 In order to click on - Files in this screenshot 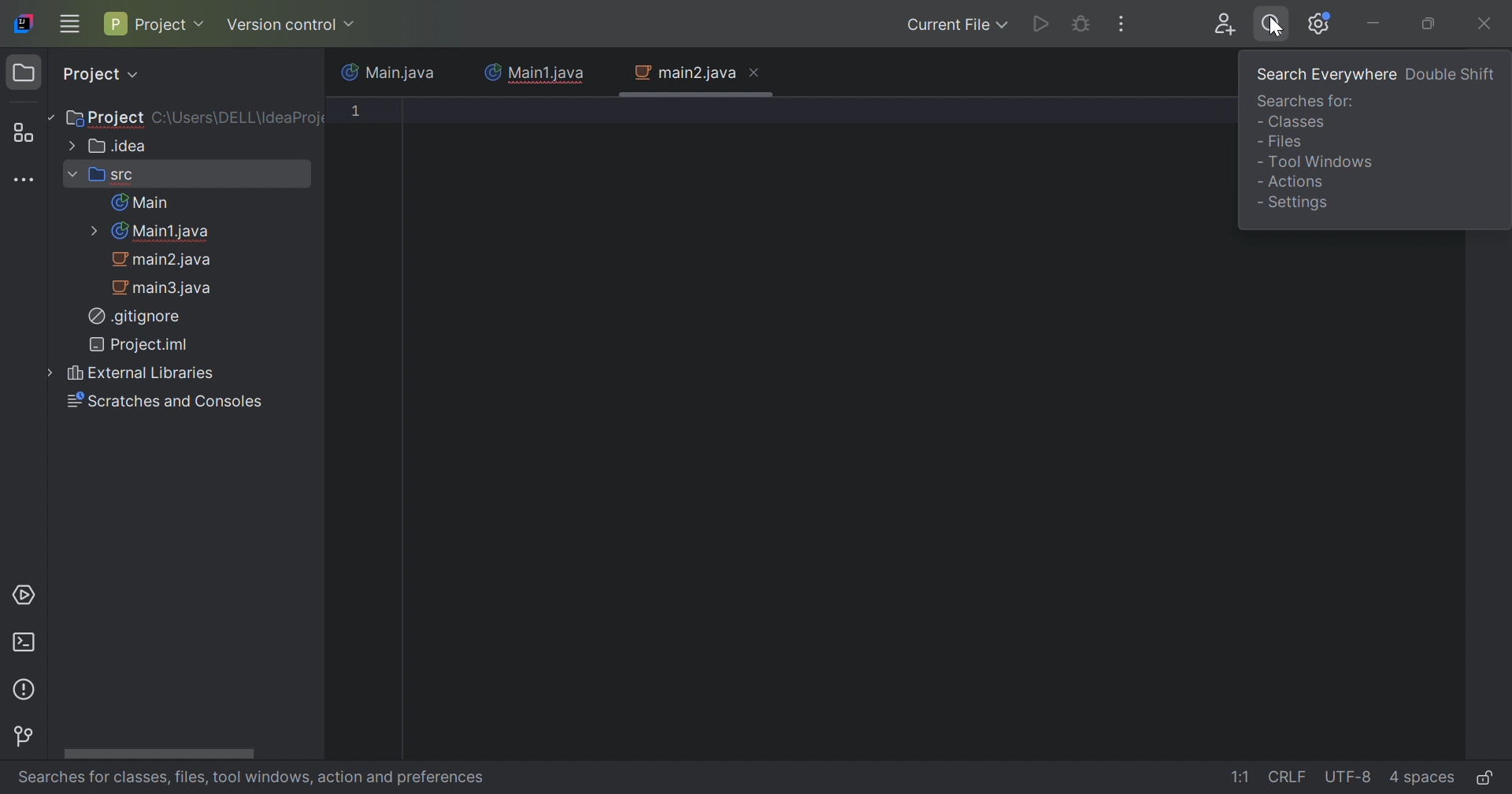, I will do `click(1281, 141)`.